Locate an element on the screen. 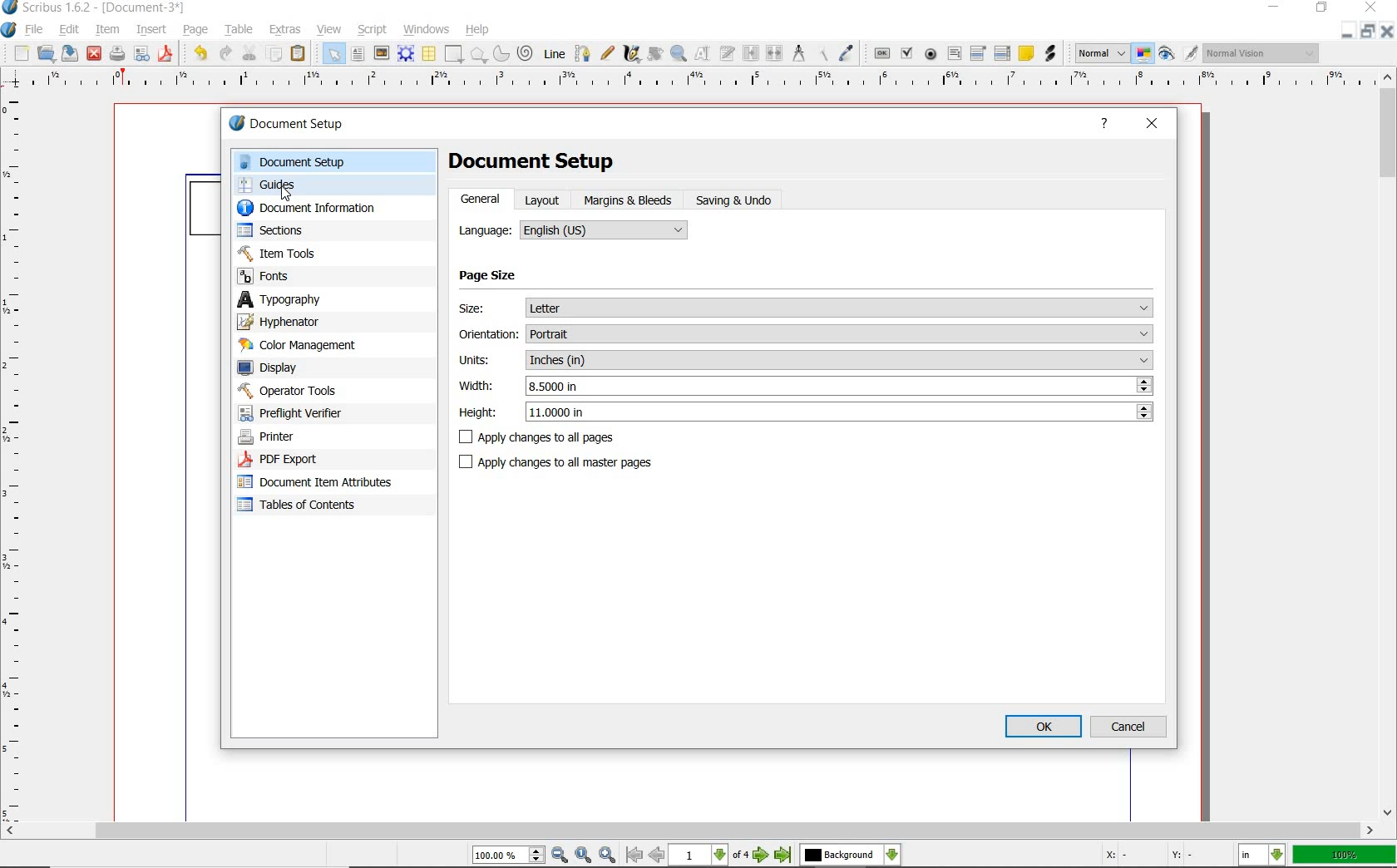 The image size is (1397, 868). close is located at coordinates (1153, 124).